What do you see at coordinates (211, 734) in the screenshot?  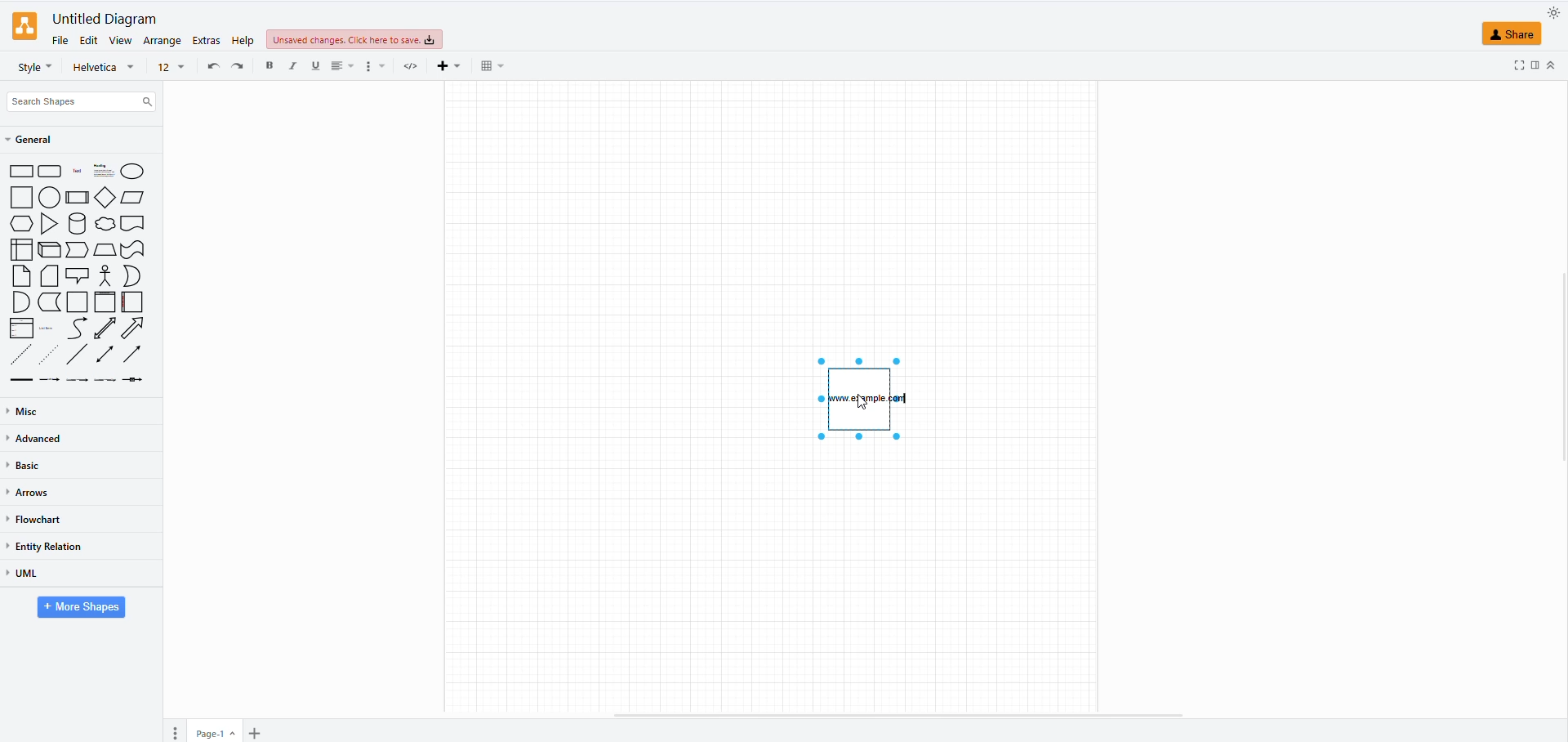 I see `page 1` at bounding box center [211, 734].